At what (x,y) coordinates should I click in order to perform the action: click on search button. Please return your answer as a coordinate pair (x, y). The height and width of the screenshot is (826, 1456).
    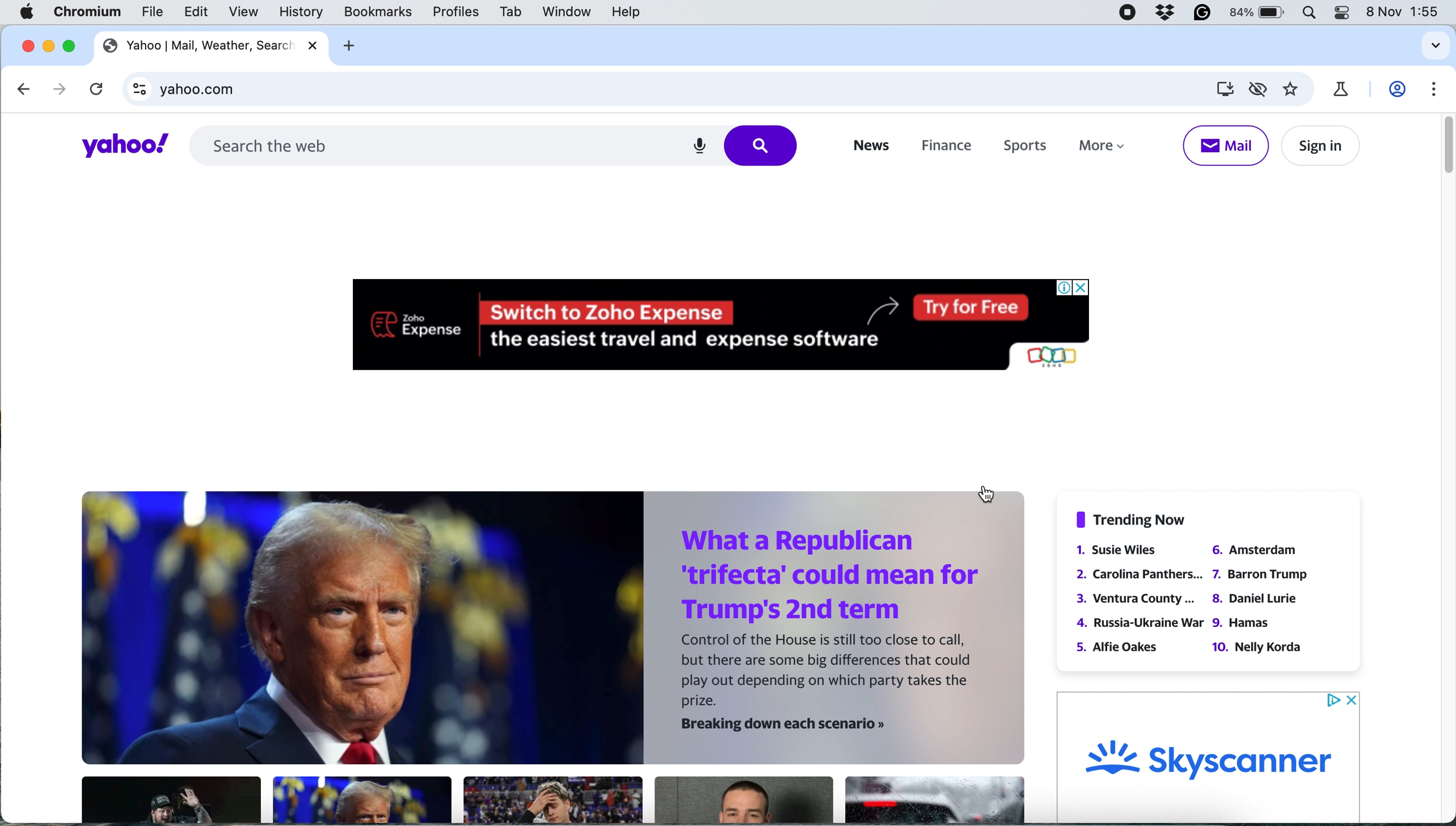
    Looking at the image, I should click on (766, 146).